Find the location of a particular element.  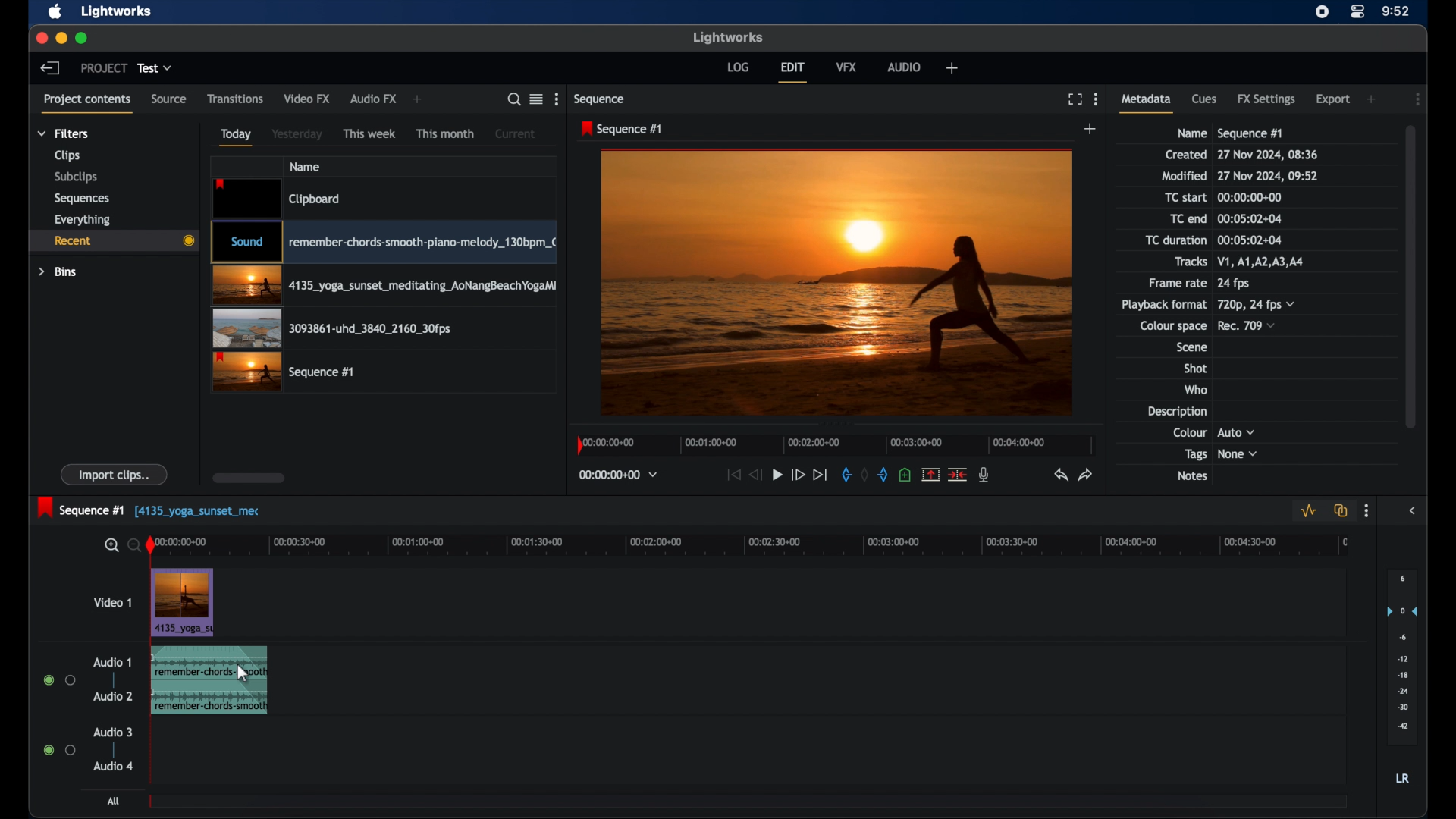

clips is located at coordinates (68, 155).